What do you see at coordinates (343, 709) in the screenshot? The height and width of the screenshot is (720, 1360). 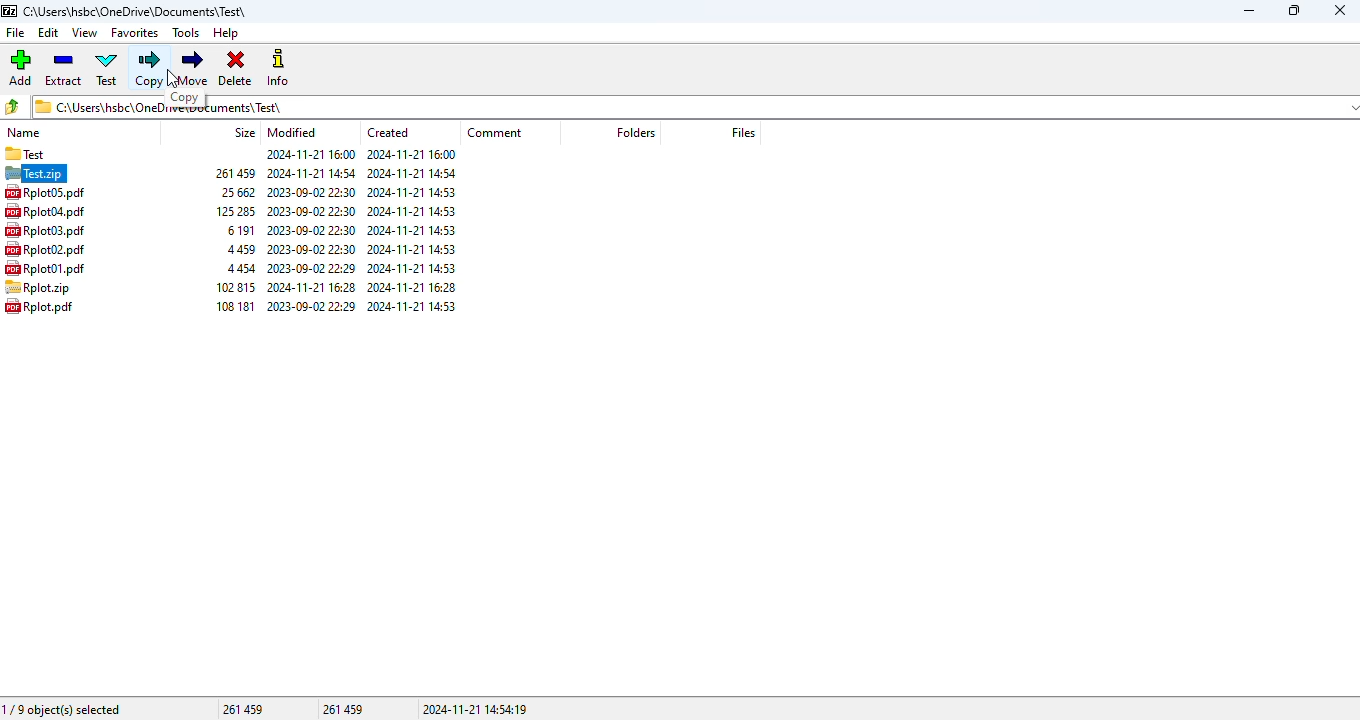 I see `261 459` at bounding box center [343, 709].